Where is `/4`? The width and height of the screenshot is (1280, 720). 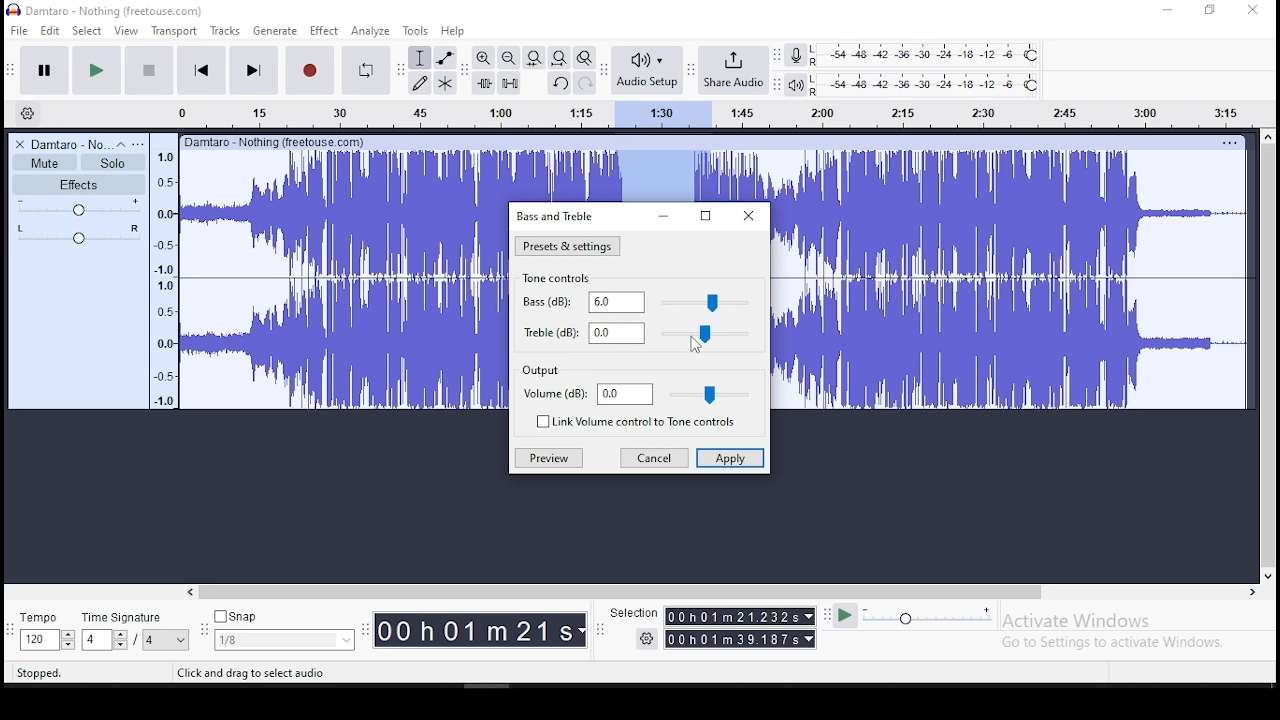
/4 is located at coordinates (150, 639).